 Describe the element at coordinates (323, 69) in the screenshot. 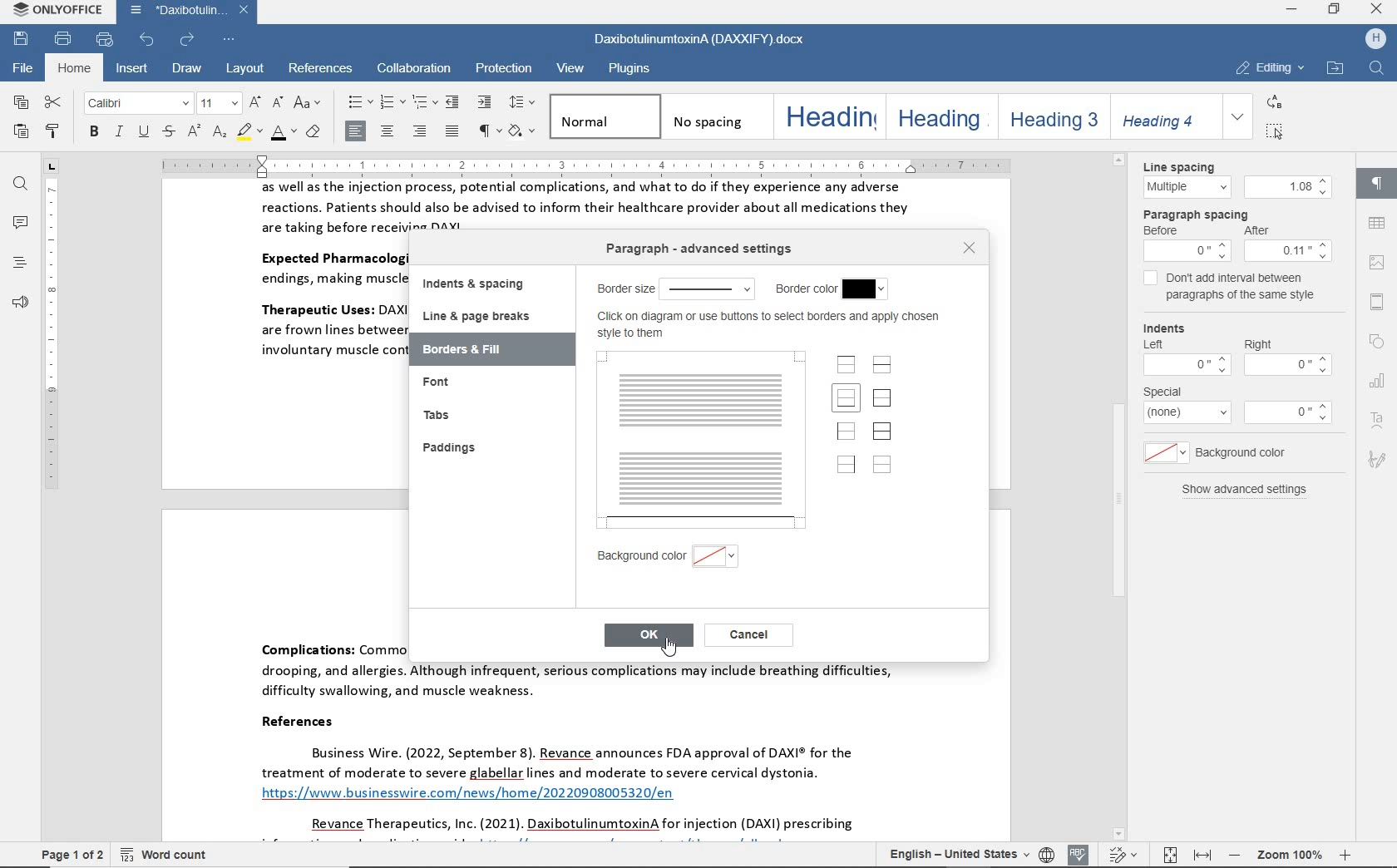

I see `references` at that location.